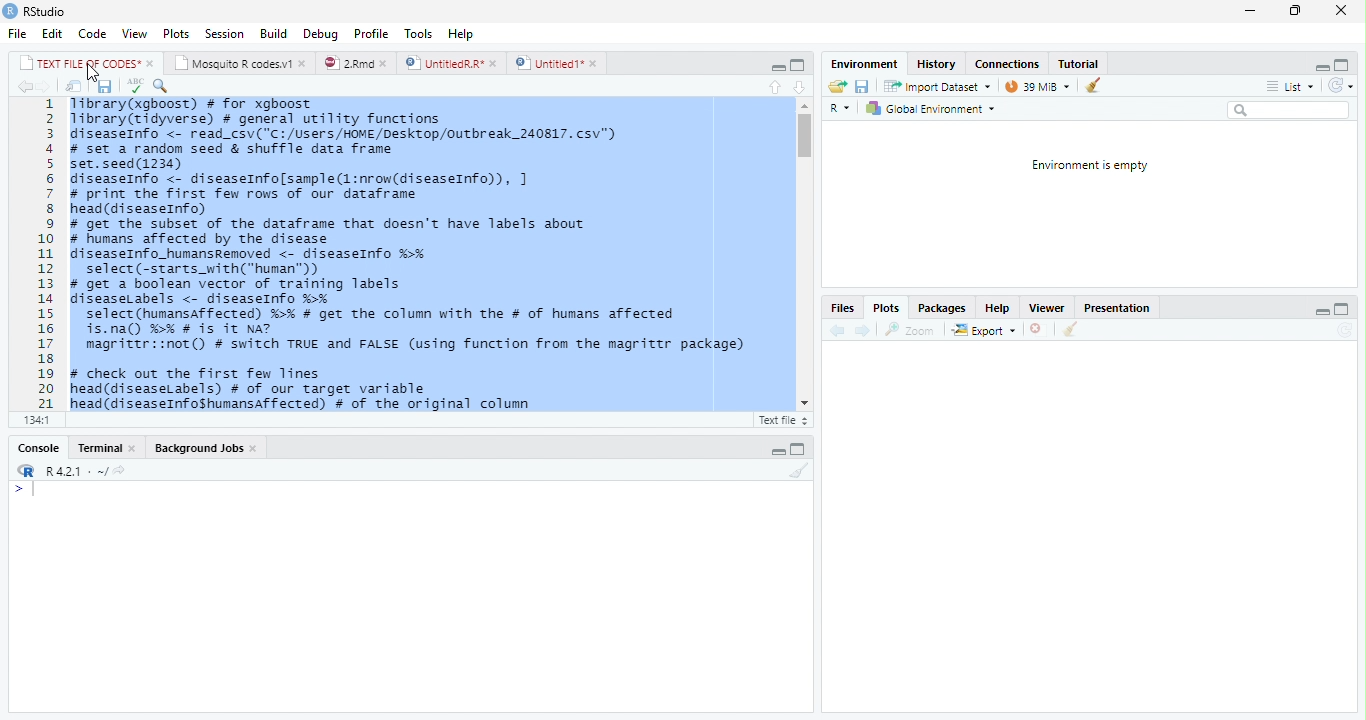 The height and width of the screenshot is (720, 1366). I want to click on Minimize, so click(1249, 11).